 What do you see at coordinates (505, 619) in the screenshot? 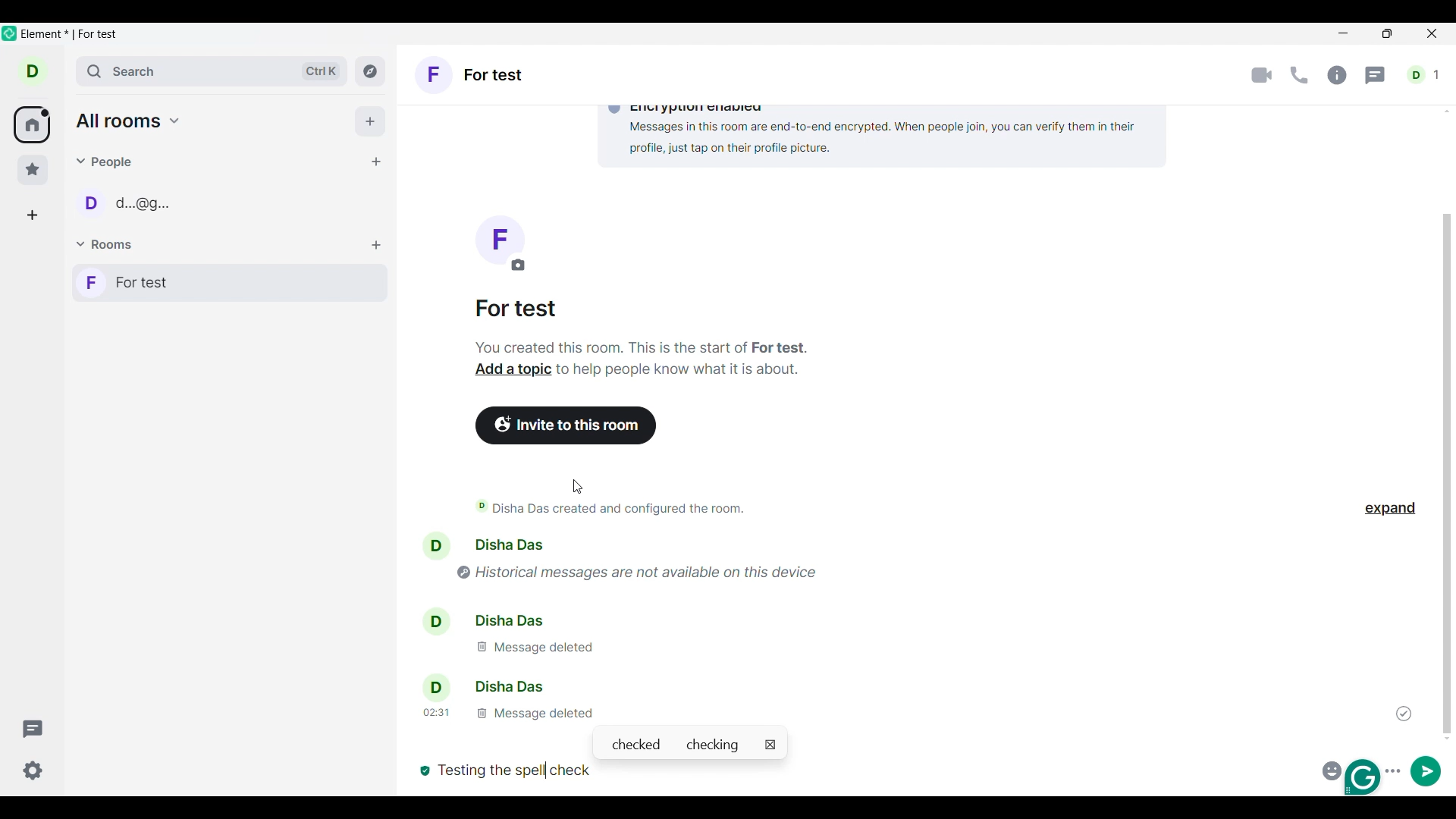
I see `disha das` at bounding box center [505, 619].